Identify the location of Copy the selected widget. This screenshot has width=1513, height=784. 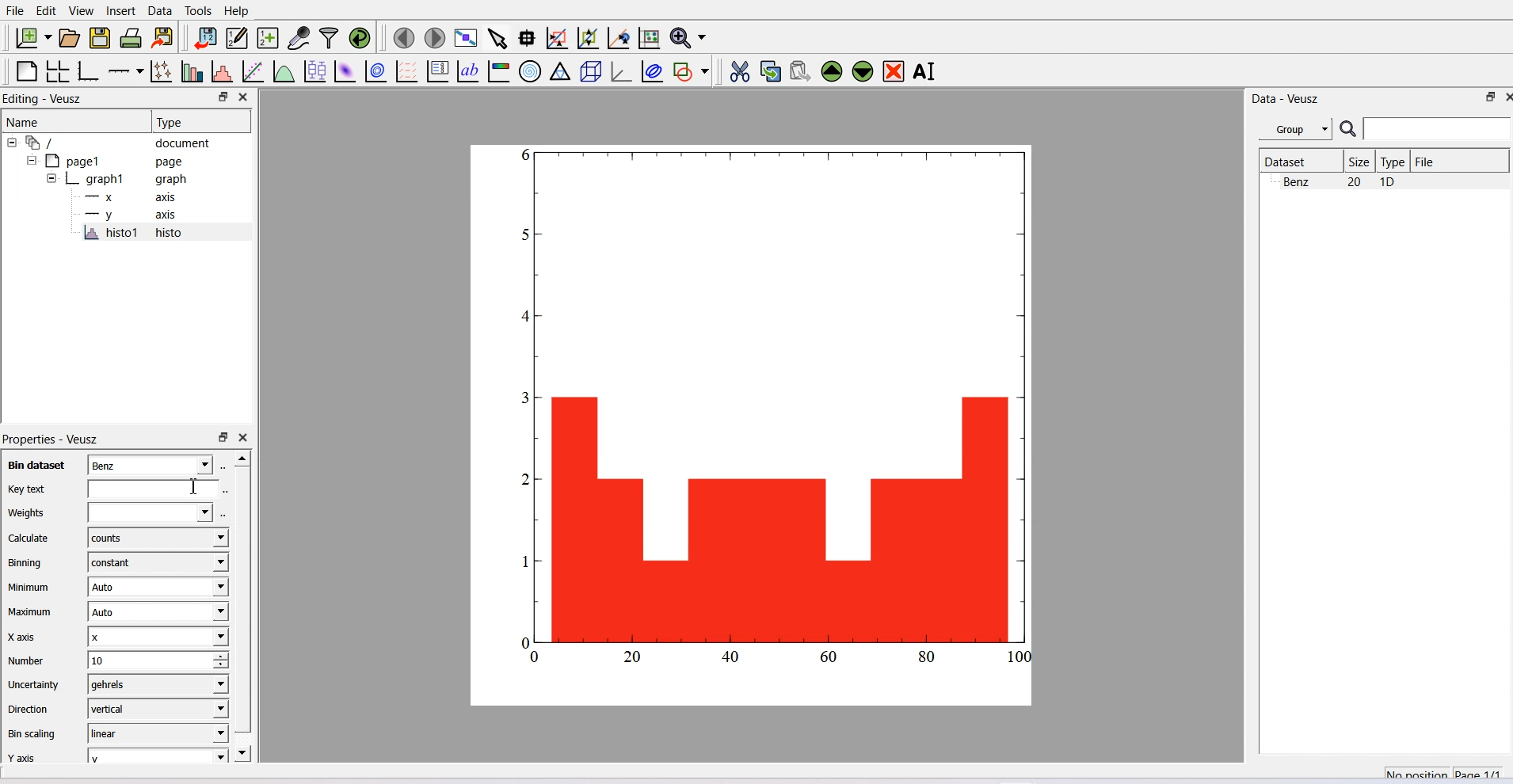
(771, 71).